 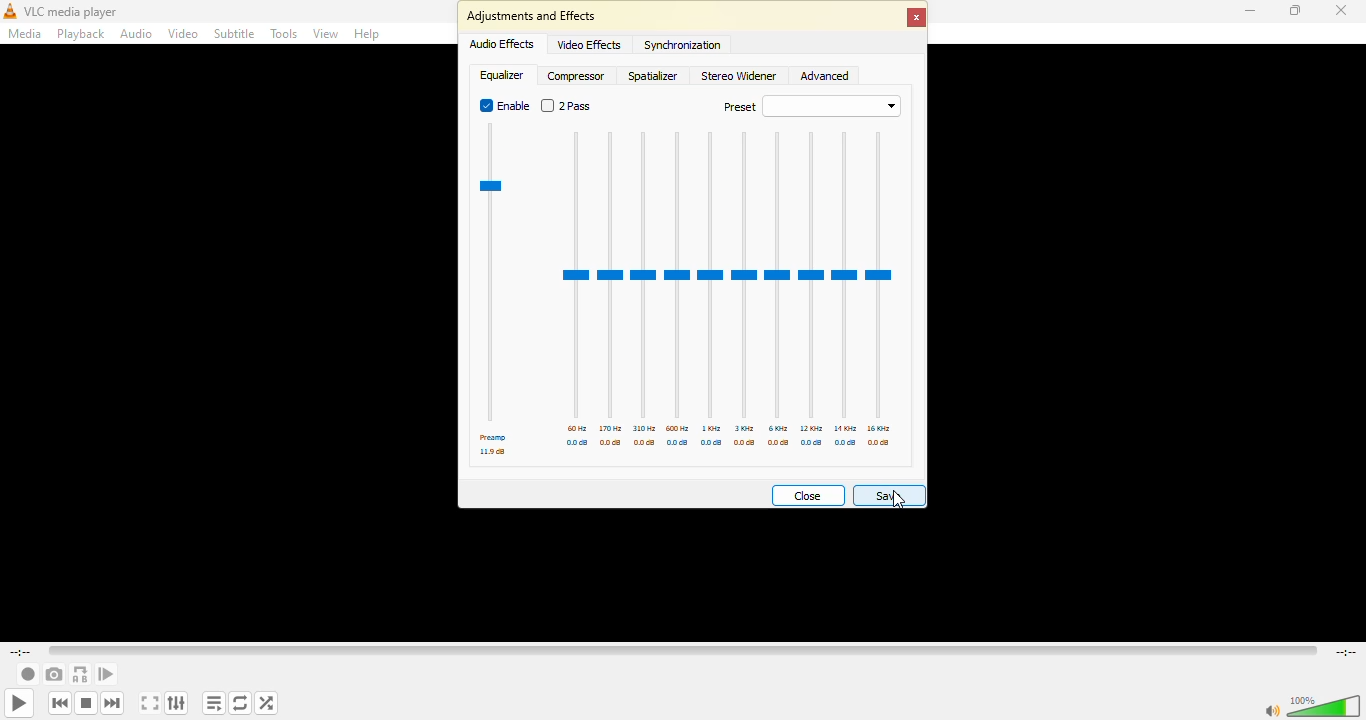 What do you see at coordinates (746, 443) in the screenshot?
I see `db` at bounding box center [746, 443].